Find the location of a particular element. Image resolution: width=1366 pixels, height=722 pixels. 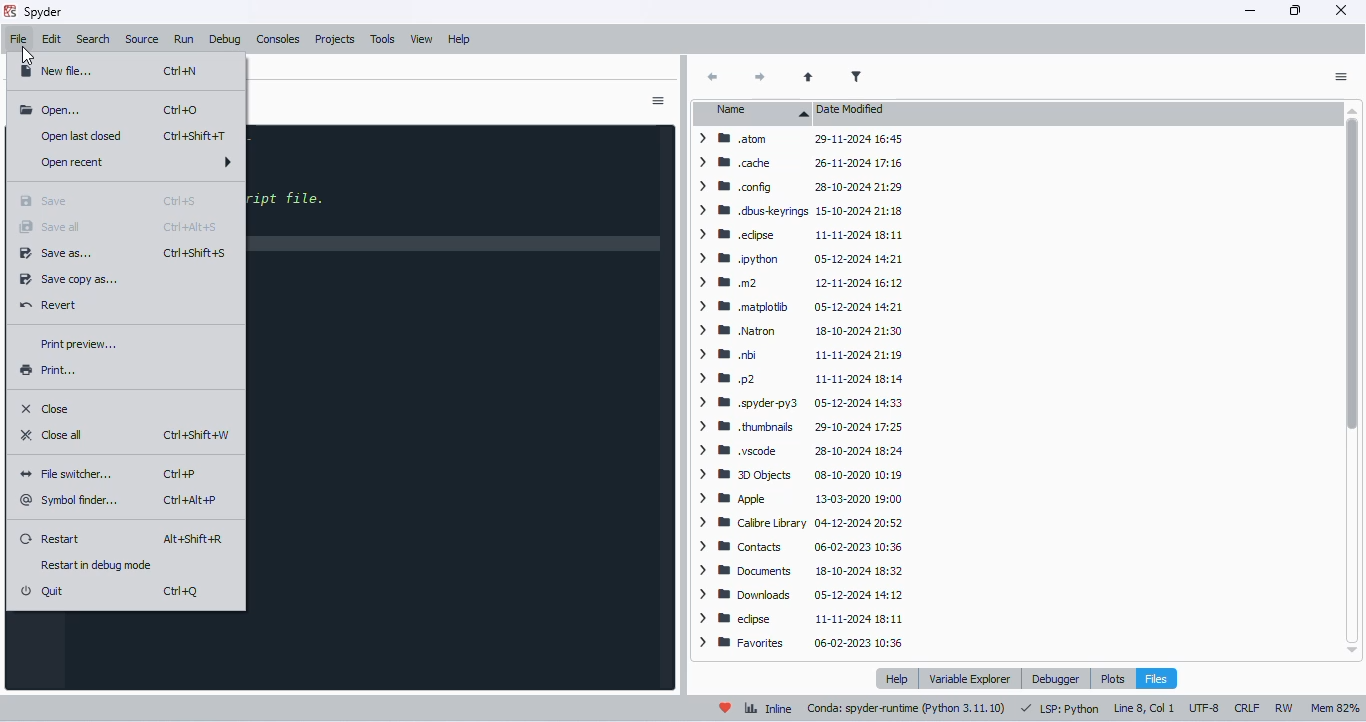

logo is located at coordinates (10, 11).